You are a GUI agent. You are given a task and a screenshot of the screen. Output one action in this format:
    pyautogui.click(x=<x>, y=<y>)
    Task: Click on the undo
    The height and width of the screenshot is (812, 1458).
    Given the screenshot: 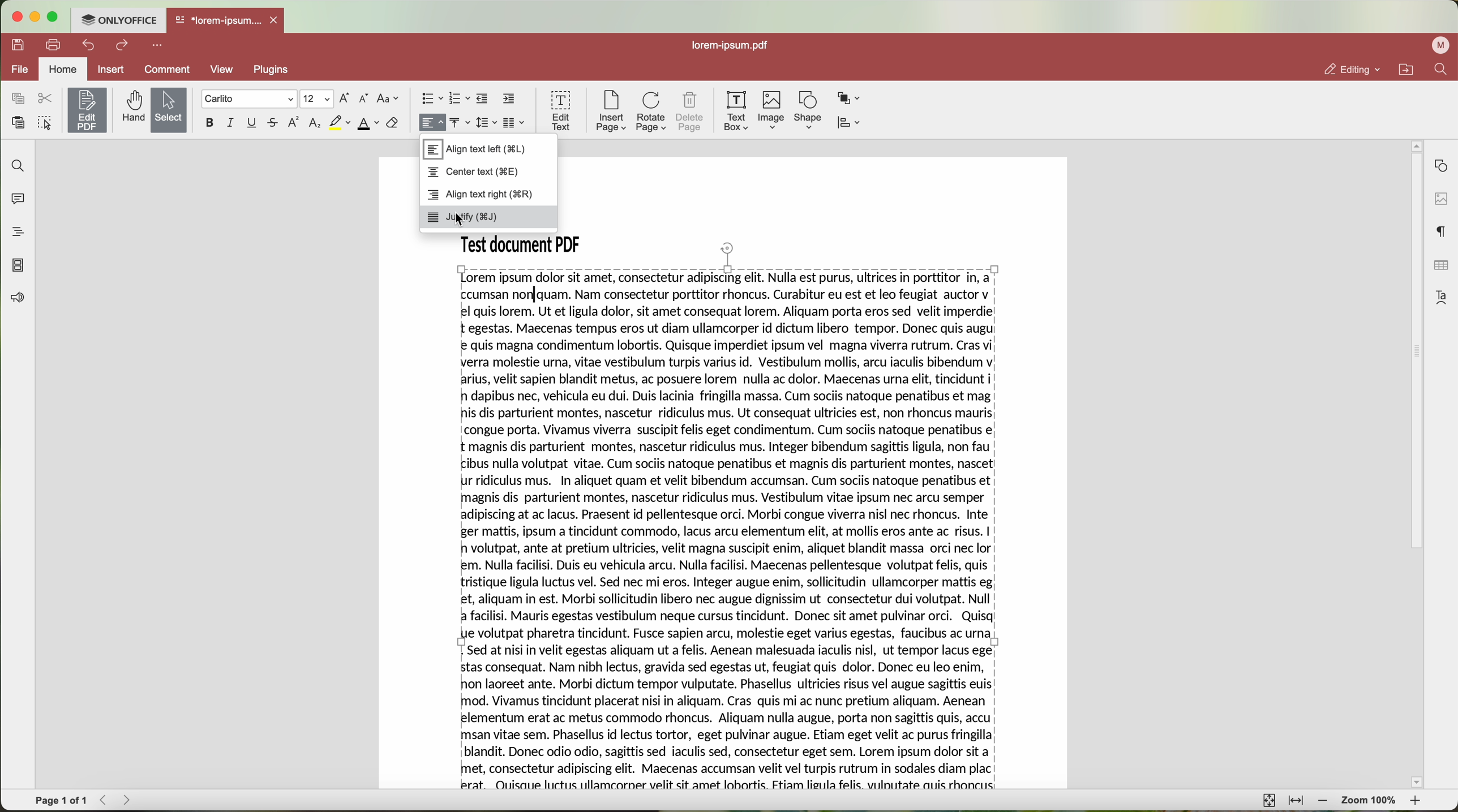 What is the action you would take?
    pyautogui.click(x=90, y=45)
    